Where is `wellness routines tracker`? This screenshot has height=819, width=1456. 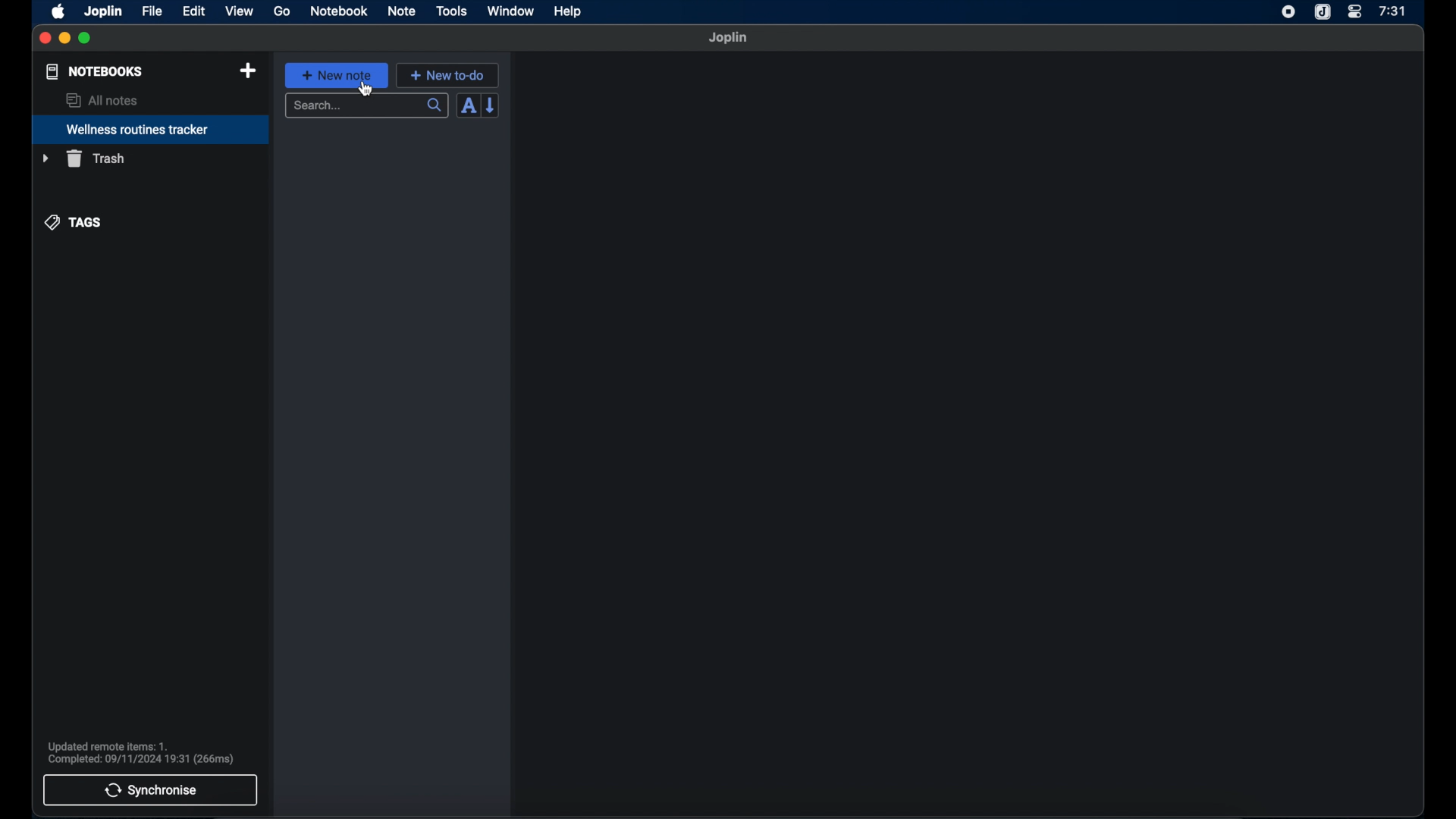 wellness routines tracker is located at coordinates (151, 130).